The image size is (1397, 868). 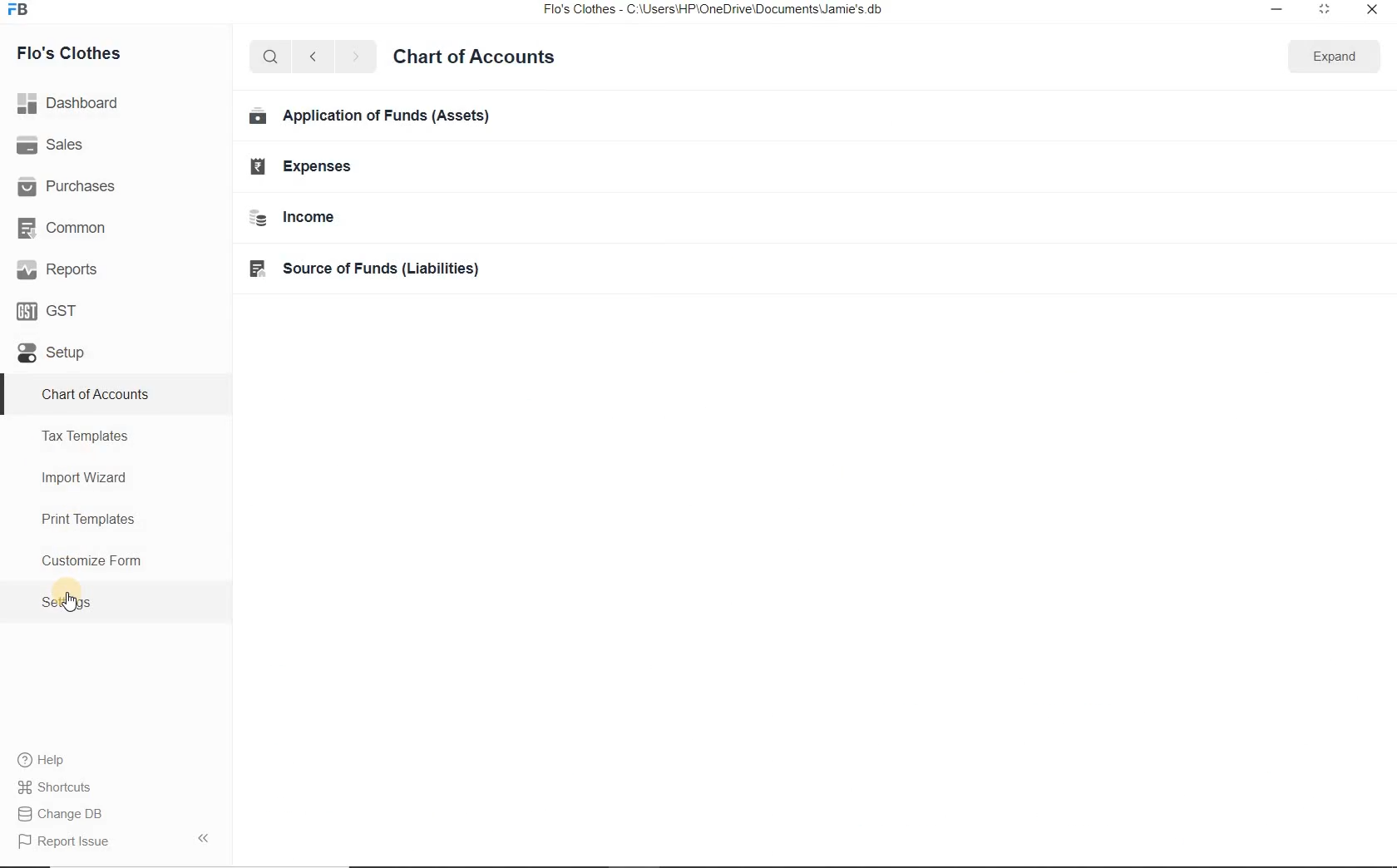 I want to click on Change DB, so click(x=59, y=814).